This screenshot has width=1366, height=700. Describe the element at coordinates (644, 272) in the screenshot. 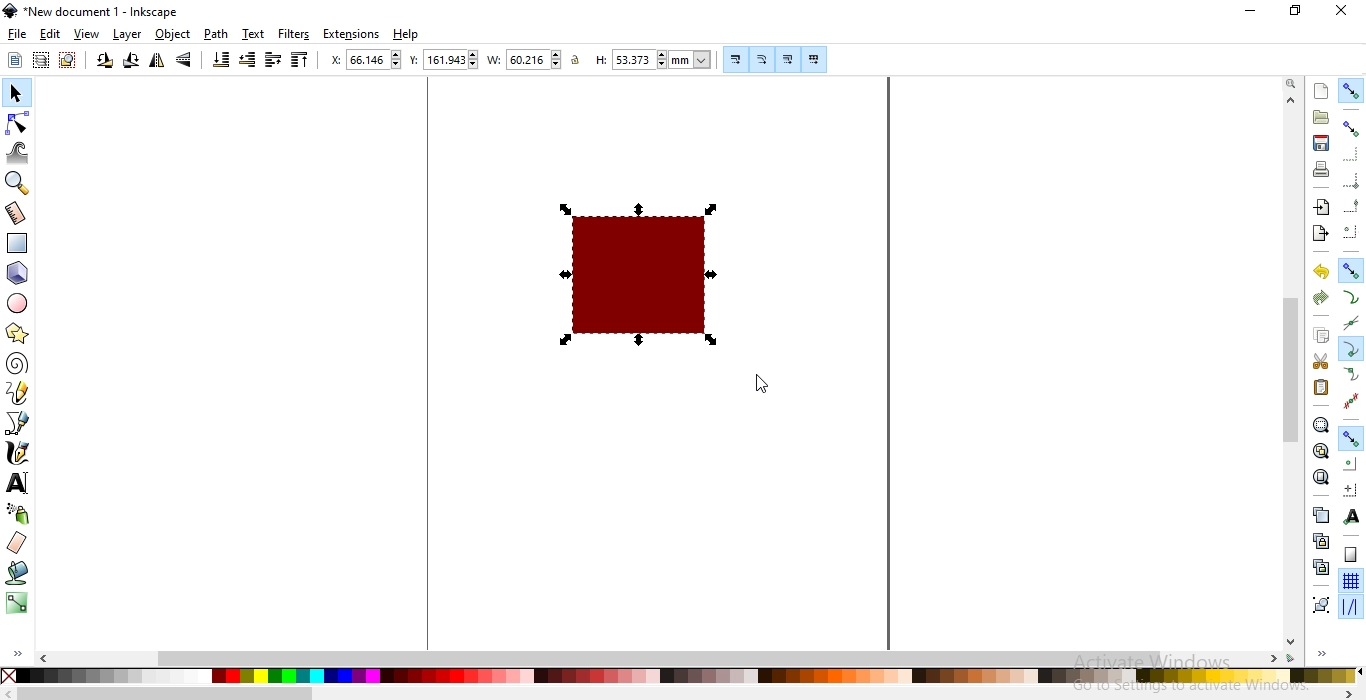

I see `image` at that location.